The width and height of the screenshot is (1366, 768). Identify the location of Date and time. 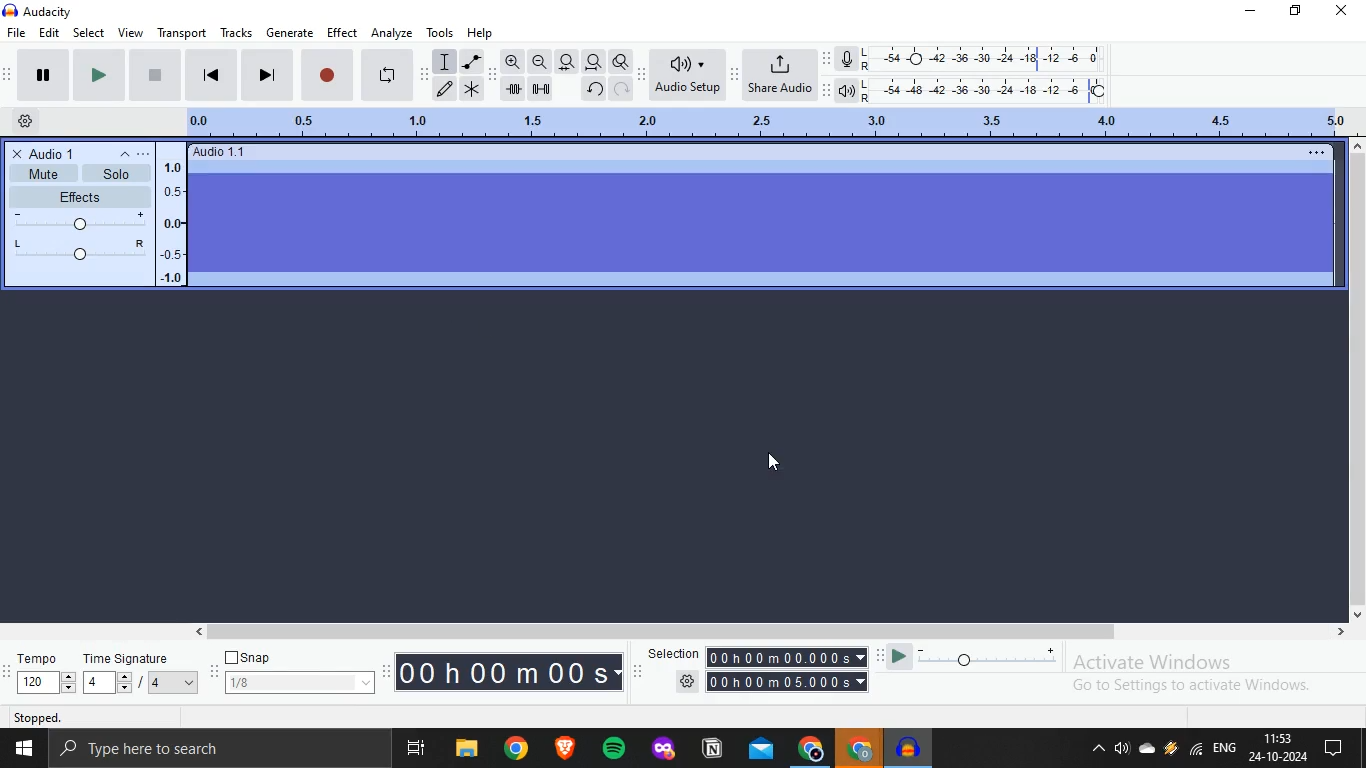
(1280, 749).